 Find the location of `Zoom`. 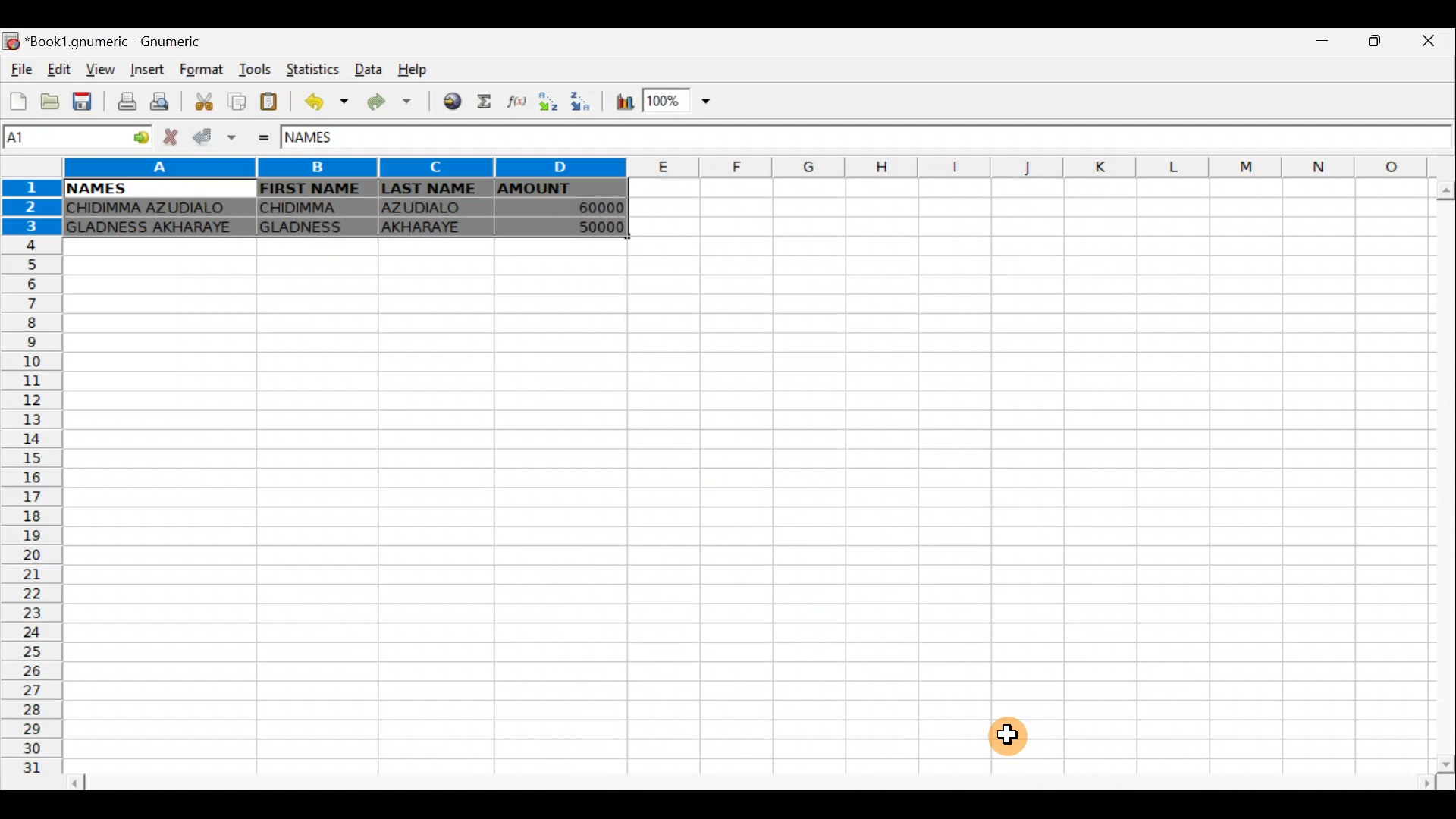

Zoom is located at coordinates (682, 99).